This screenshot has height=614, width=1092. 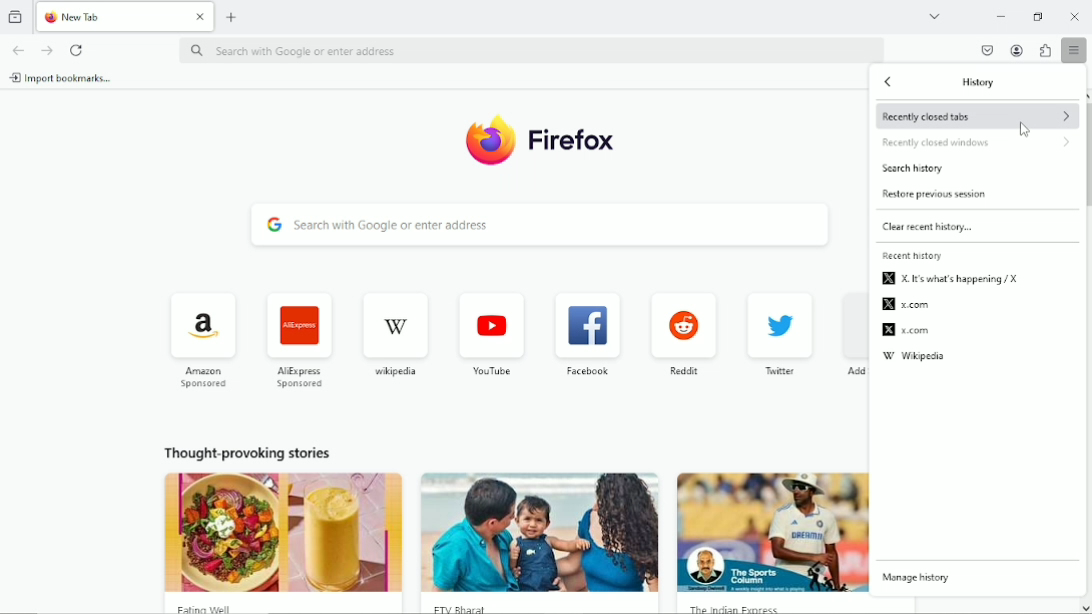 I want to click on view recent browsing, so click(x=16, y=16).